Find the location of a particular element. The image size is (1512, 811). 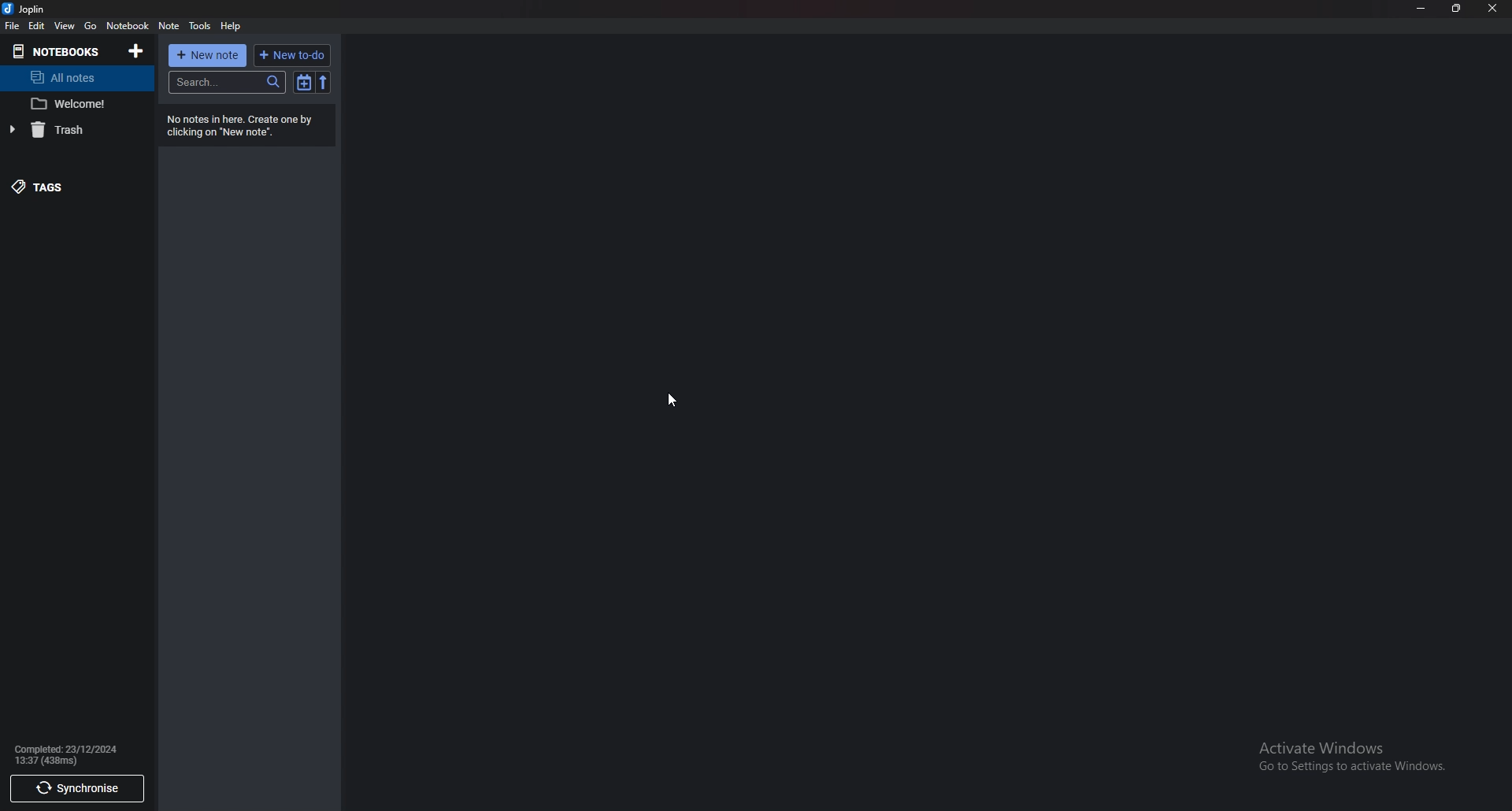

close is located at coordinates (1493, 8).